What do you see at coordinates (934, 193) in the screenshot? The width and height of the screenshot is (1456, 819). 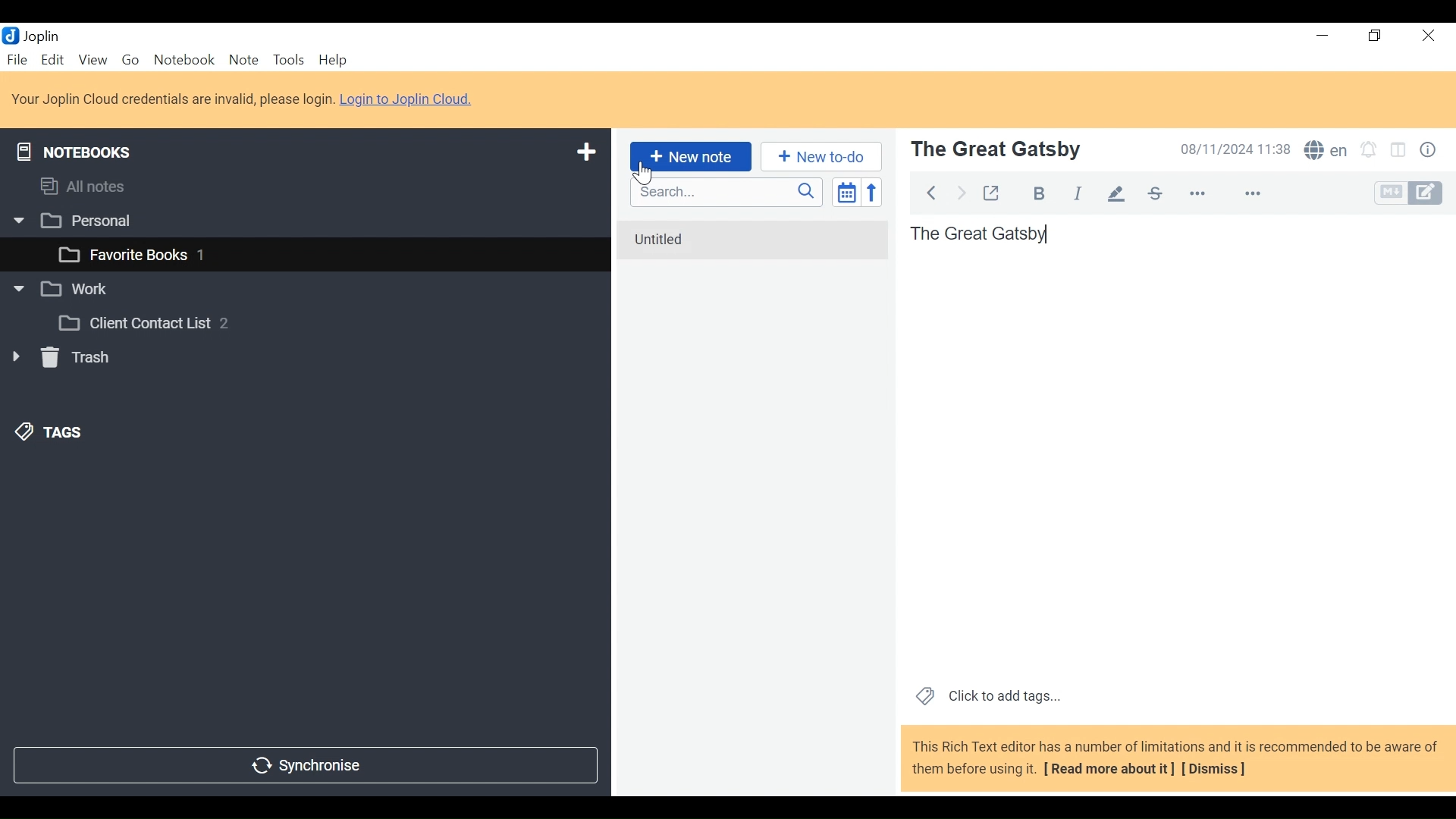 I see `Back` at bounding box center [934, 193].